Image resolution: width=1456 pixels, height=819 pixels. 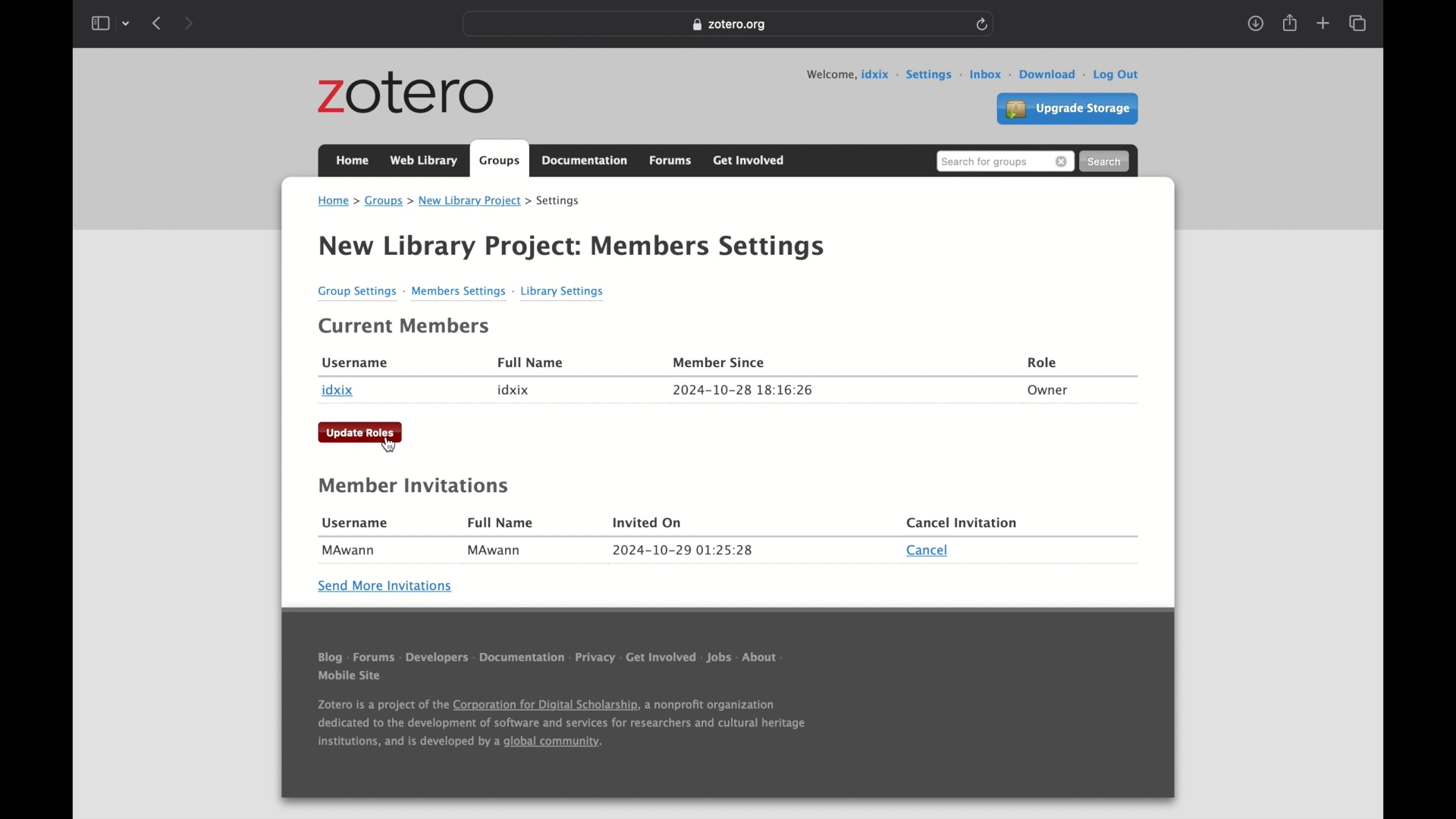 What do you see at coordinates (1288, 23) in the screenshot?
I see `share` at bounding box center [1288, 23].